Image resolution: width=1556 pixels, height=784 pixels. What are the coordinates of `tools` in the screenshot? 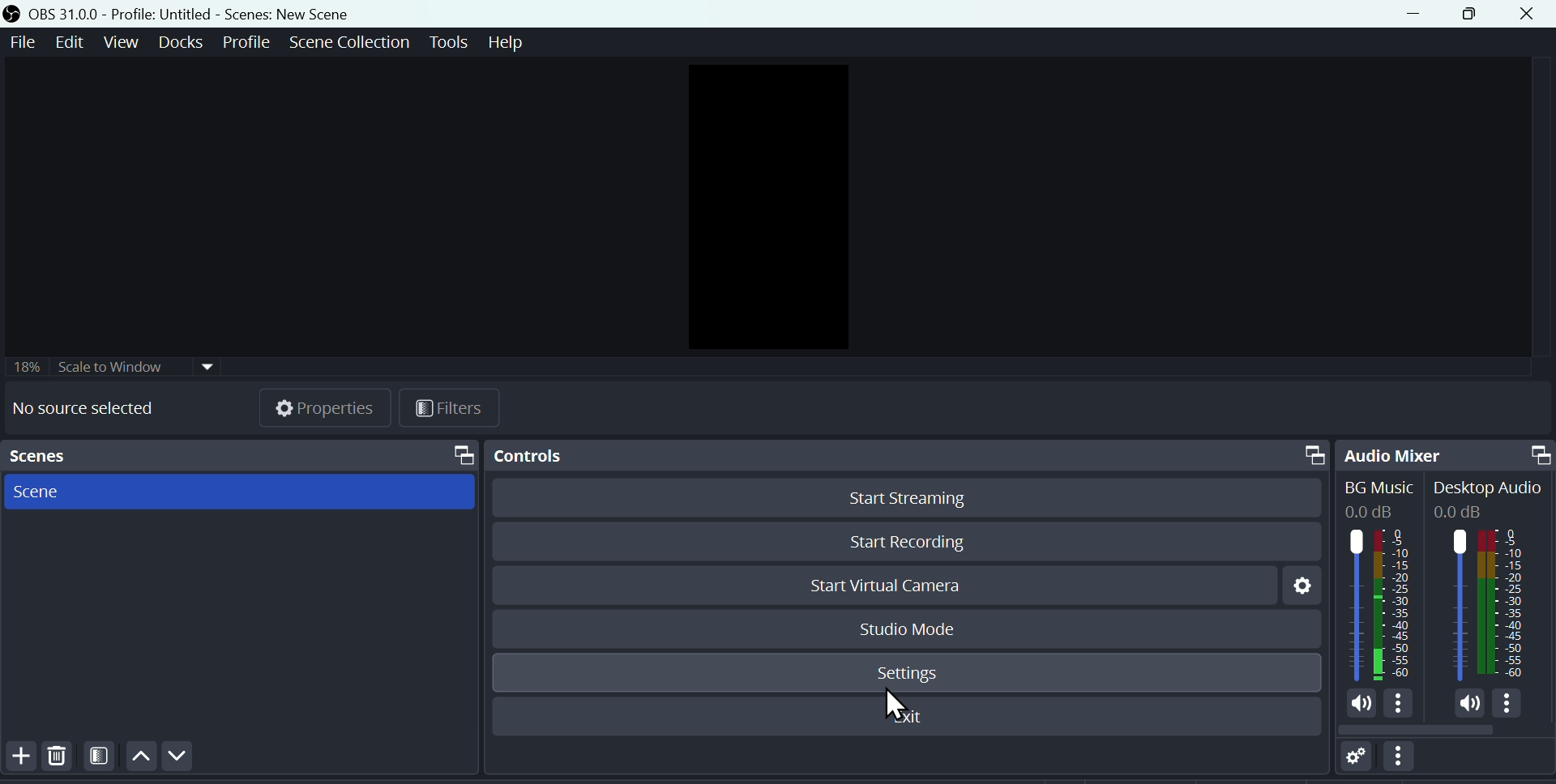 It's located at (450, 43).